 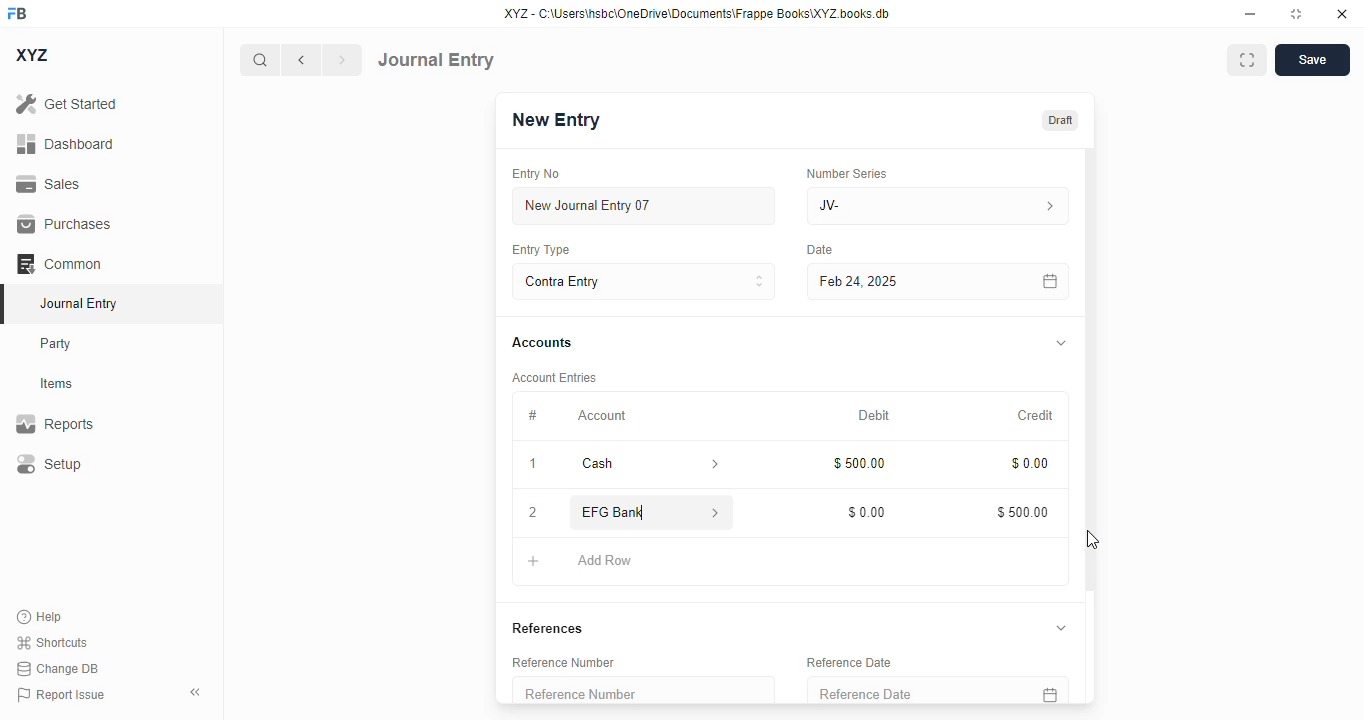 What do you see at coordinates (820, 250) in the screenshot?
I see `date` at bounding box center [820, 250].